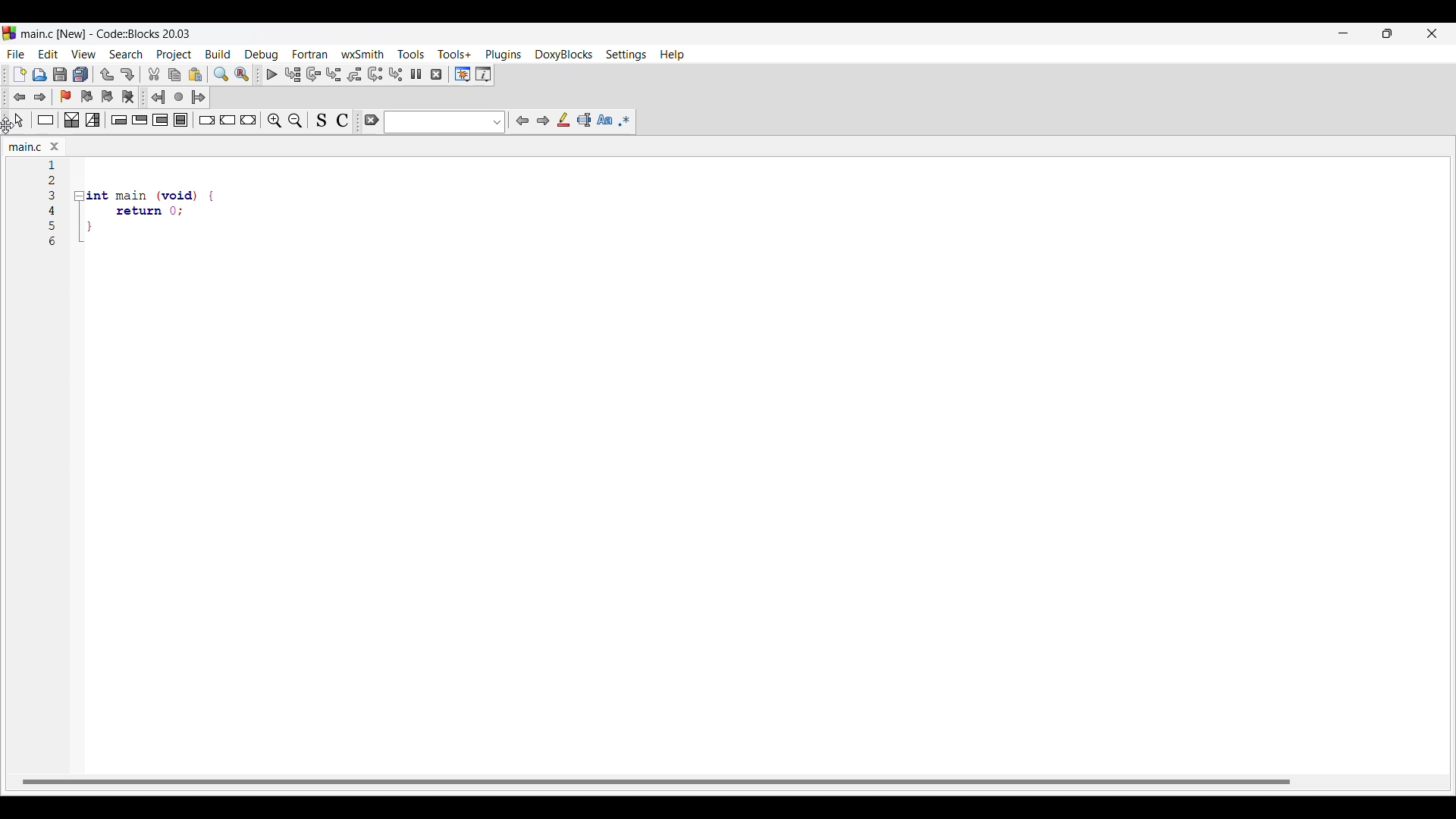  Describe the element at coordinates (563, 55) in the screenshot. I see `DoxyBlocks menu` at that location.